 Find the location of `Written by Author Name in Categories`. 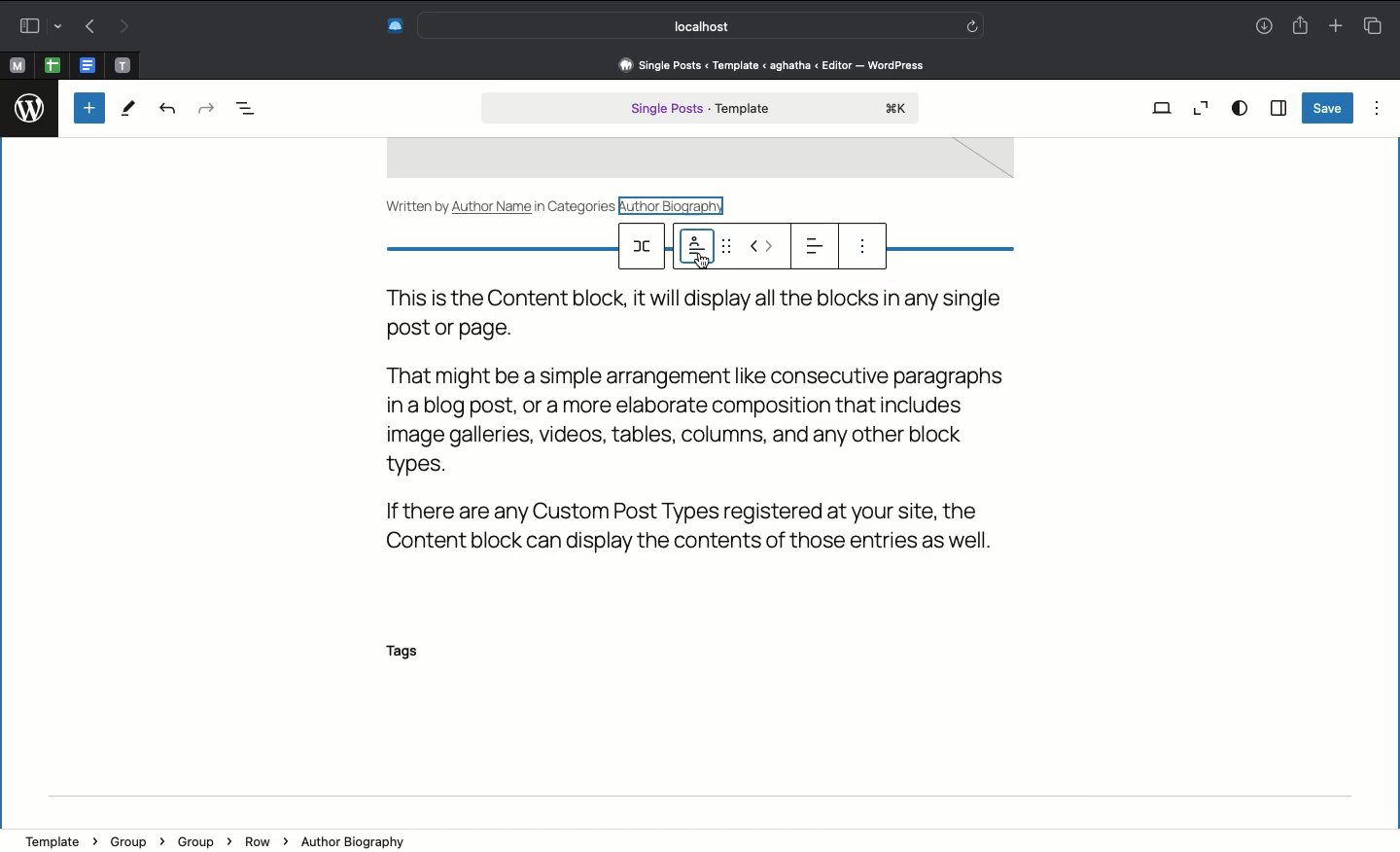

Written by Author Name in Categories is located at coordinates (502, 204).